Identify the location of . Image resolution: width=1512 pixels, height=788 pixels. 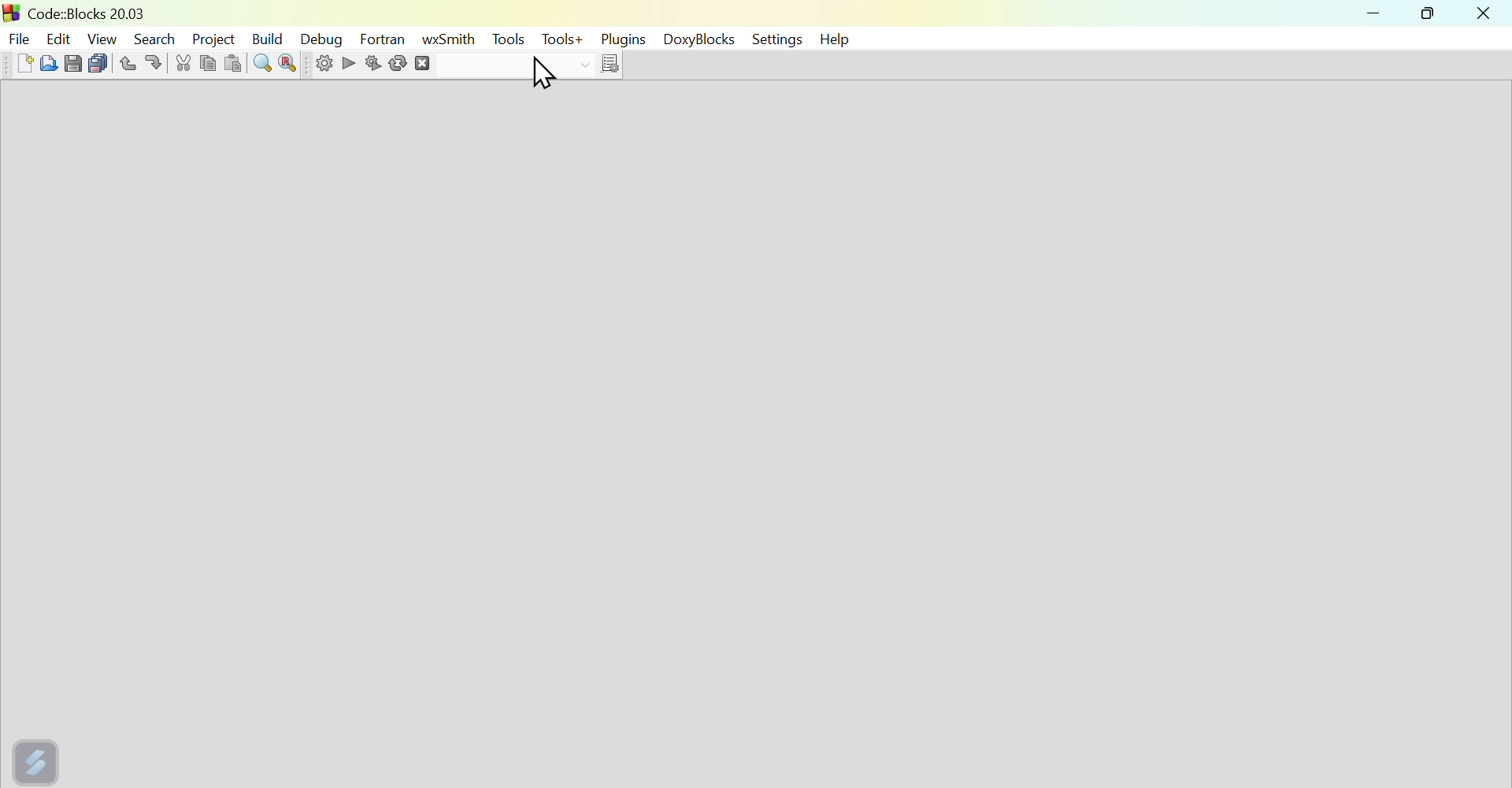
(73, 61).